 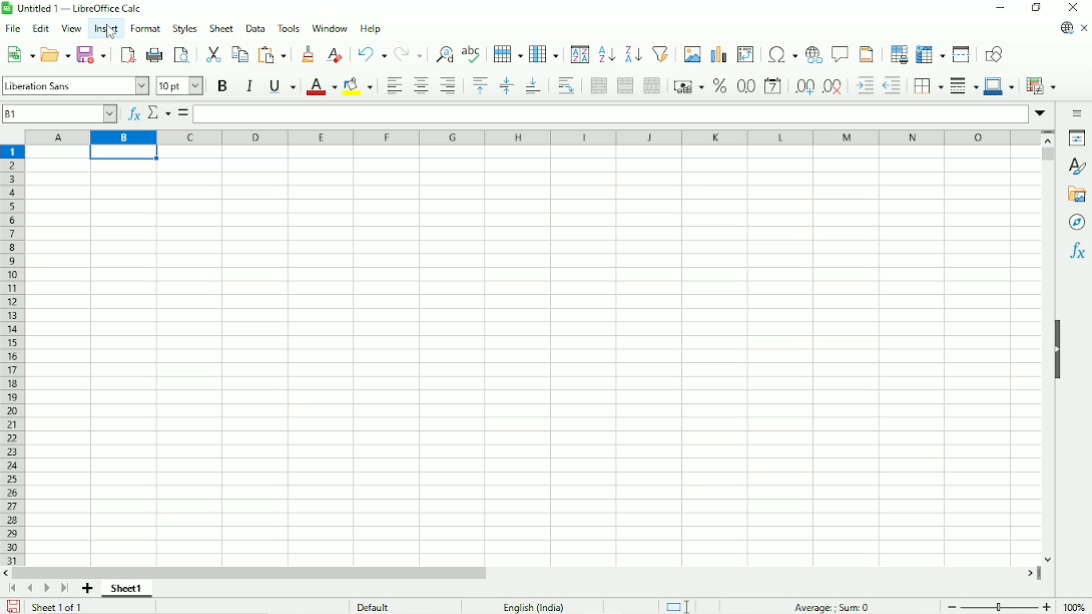 I want to click on Spell check, so click(x=473, y=52).